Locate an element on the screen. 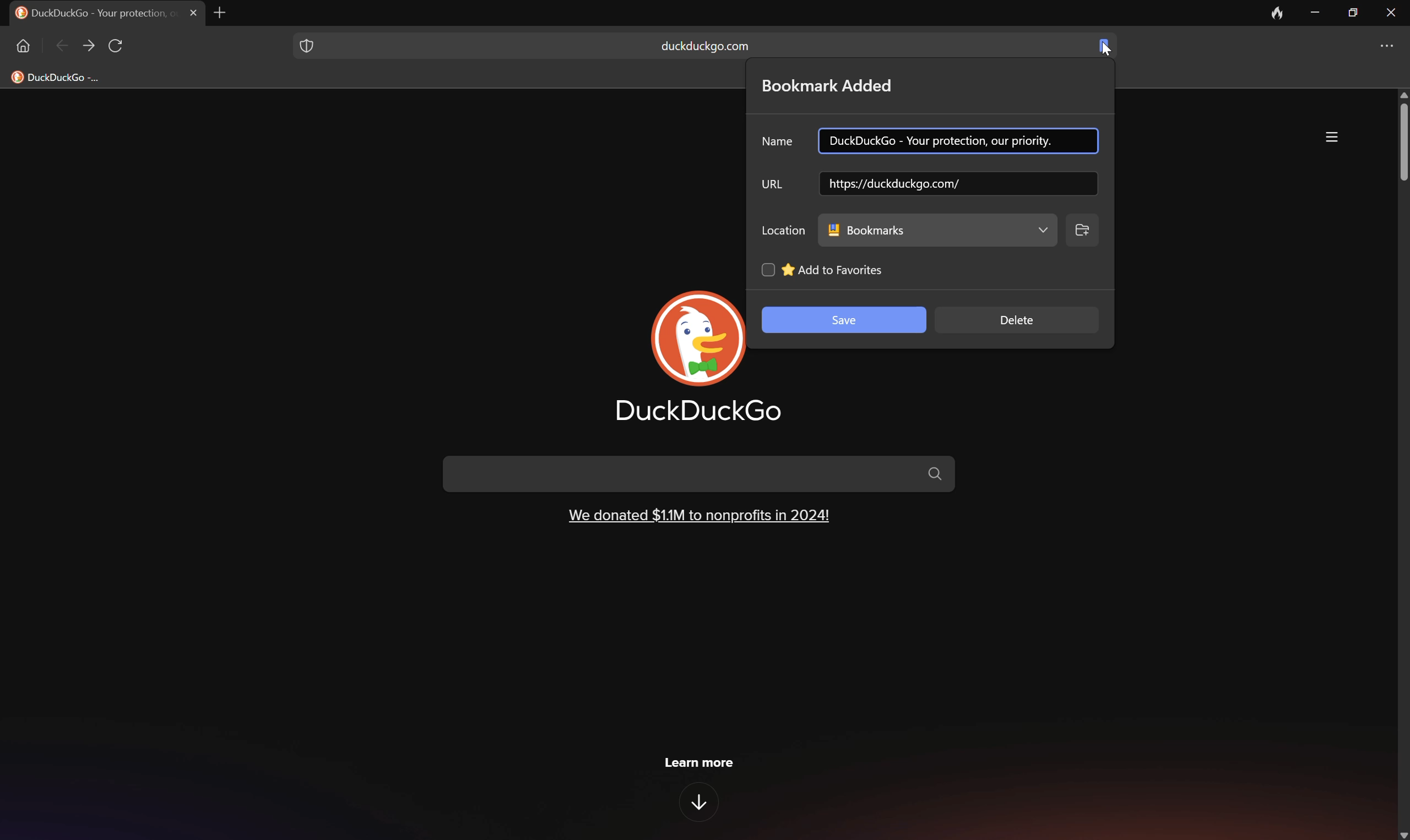  Delete is located at coordinates (1019, 320).